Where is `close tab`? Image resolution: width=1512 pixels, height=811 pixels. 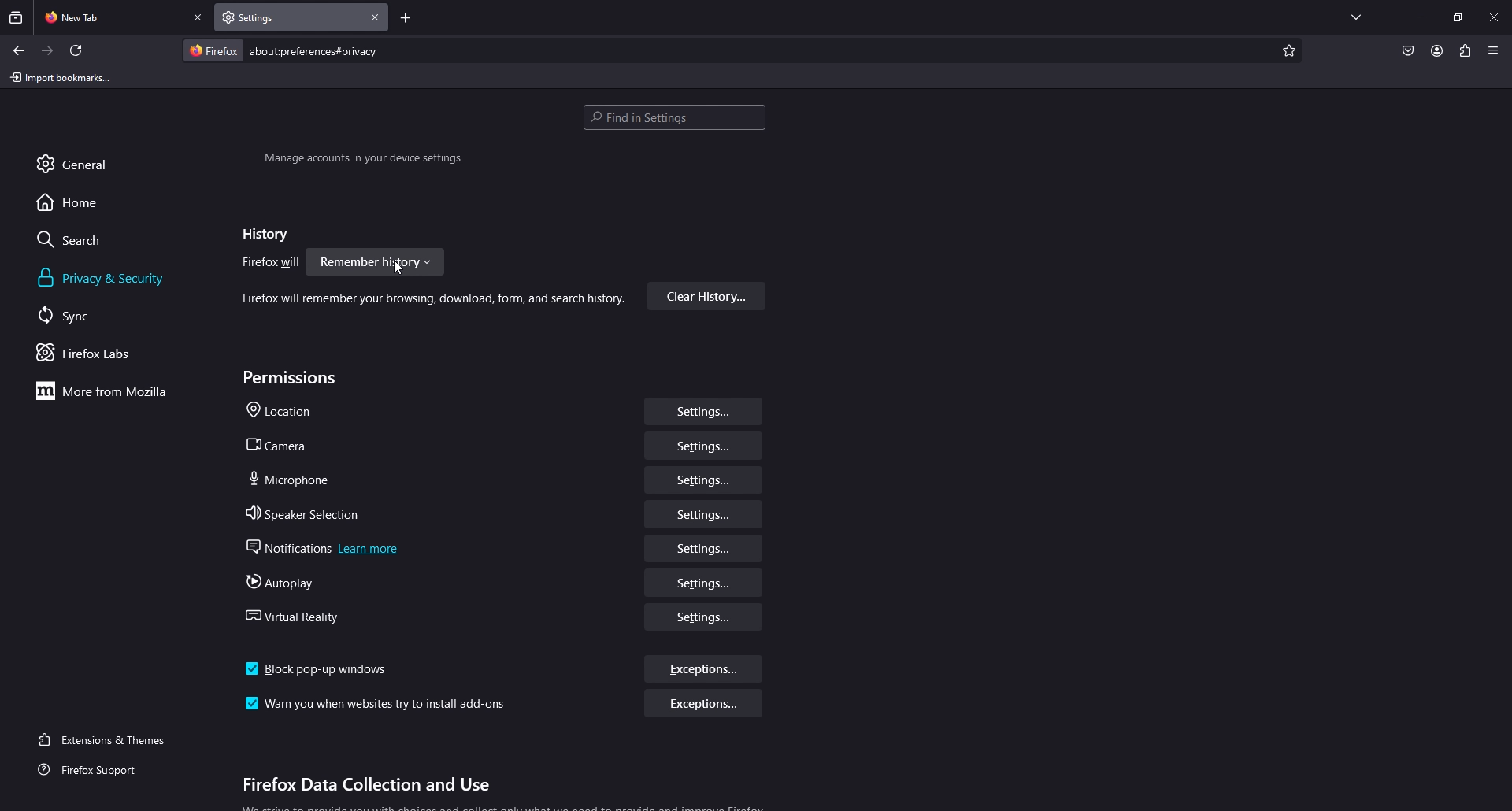
close tab is located at coordinates (376, 17).